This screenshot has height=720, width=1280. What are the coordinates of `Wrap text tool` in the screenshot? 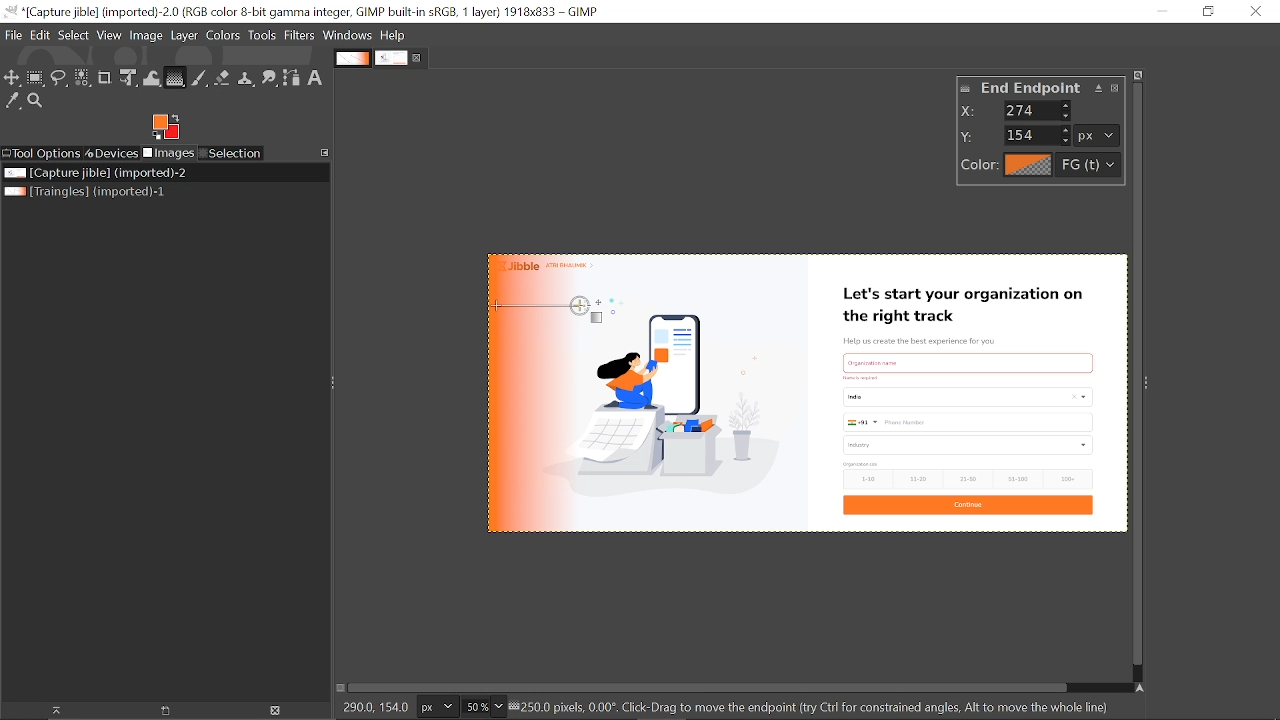 It's located at (152, 77).